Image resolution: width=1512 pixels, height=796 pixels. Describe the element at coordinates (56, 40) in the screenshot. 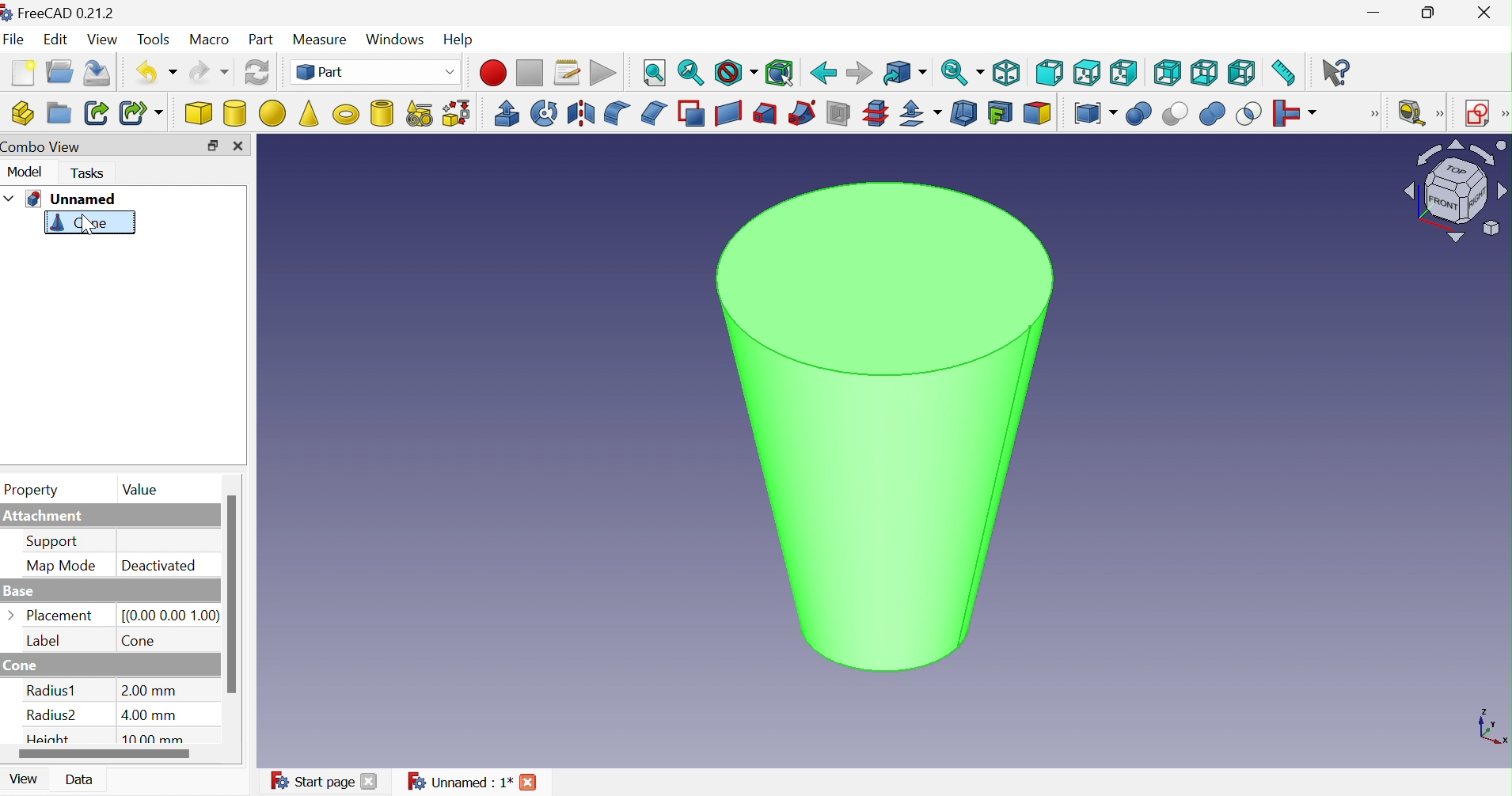

I see `Edit` at that location.